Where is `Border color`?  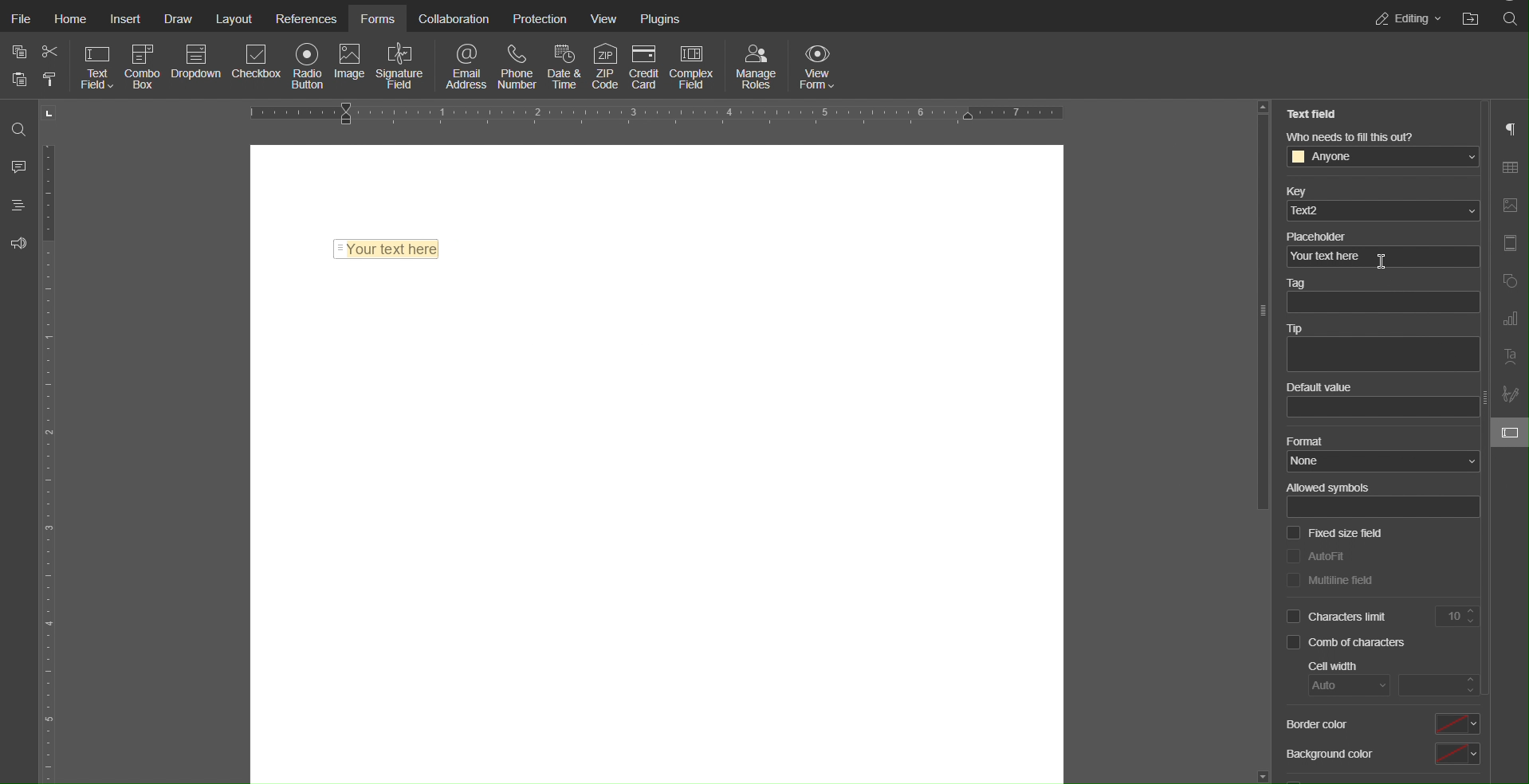 Border color is located at coordinates (1382, 724).